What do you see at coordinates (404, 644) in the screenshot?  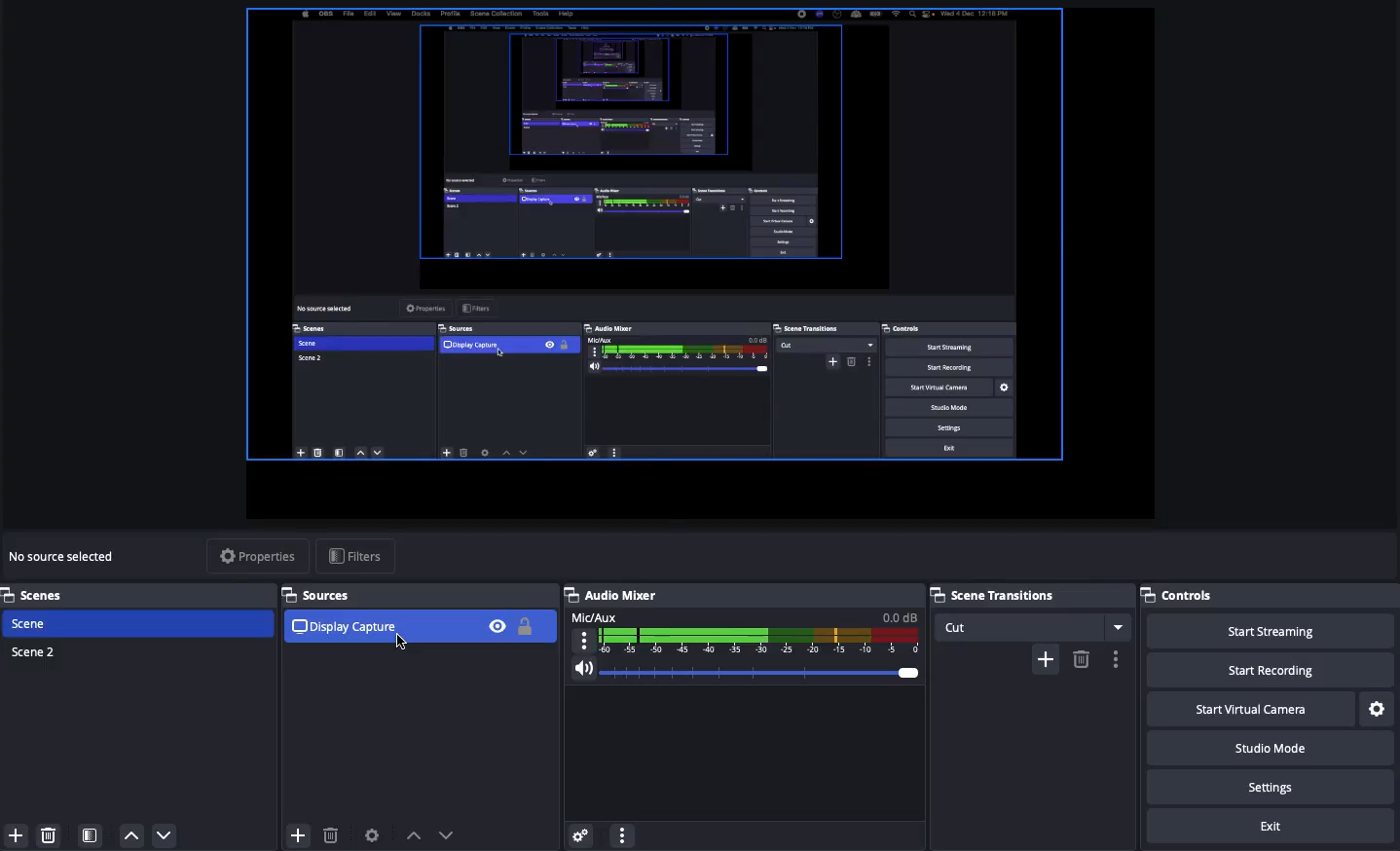 I see `Click` at bounding box center [404, 644].